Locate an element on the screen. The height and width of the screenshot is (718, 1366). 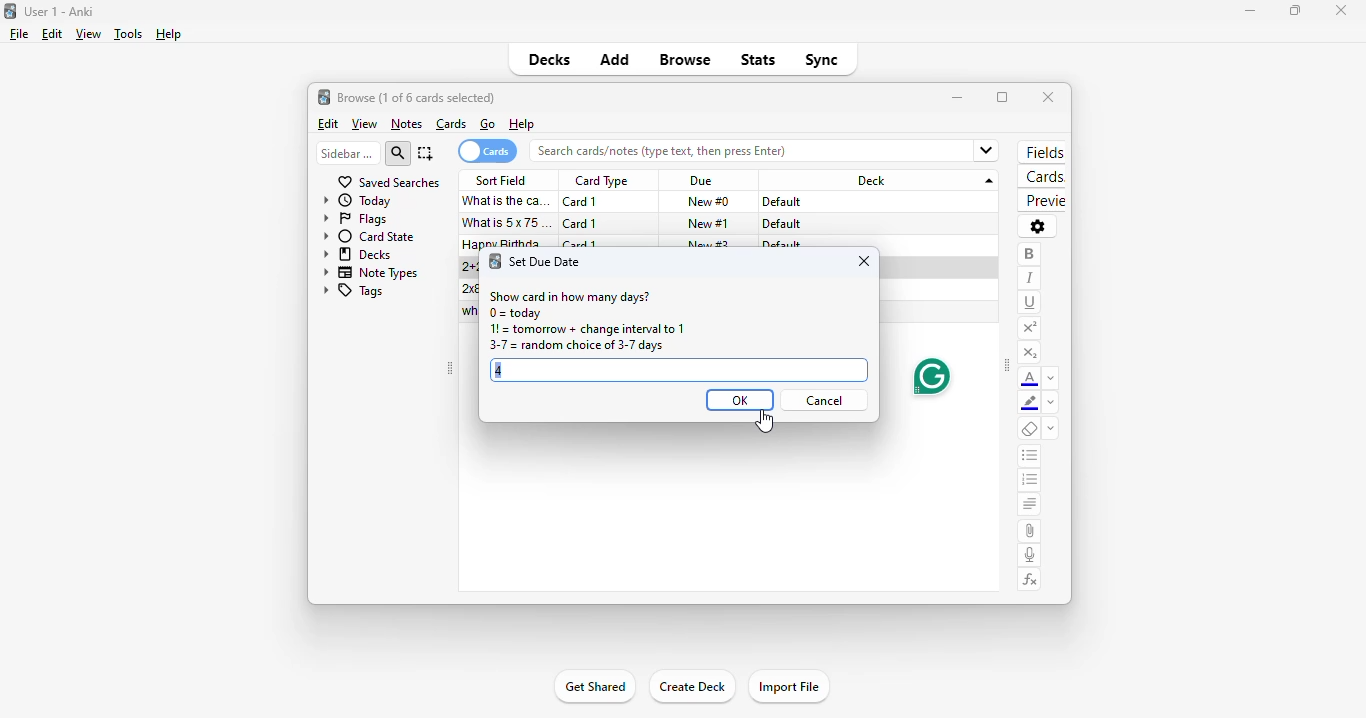
show card in how many days? is located at coordinates (569, 296).